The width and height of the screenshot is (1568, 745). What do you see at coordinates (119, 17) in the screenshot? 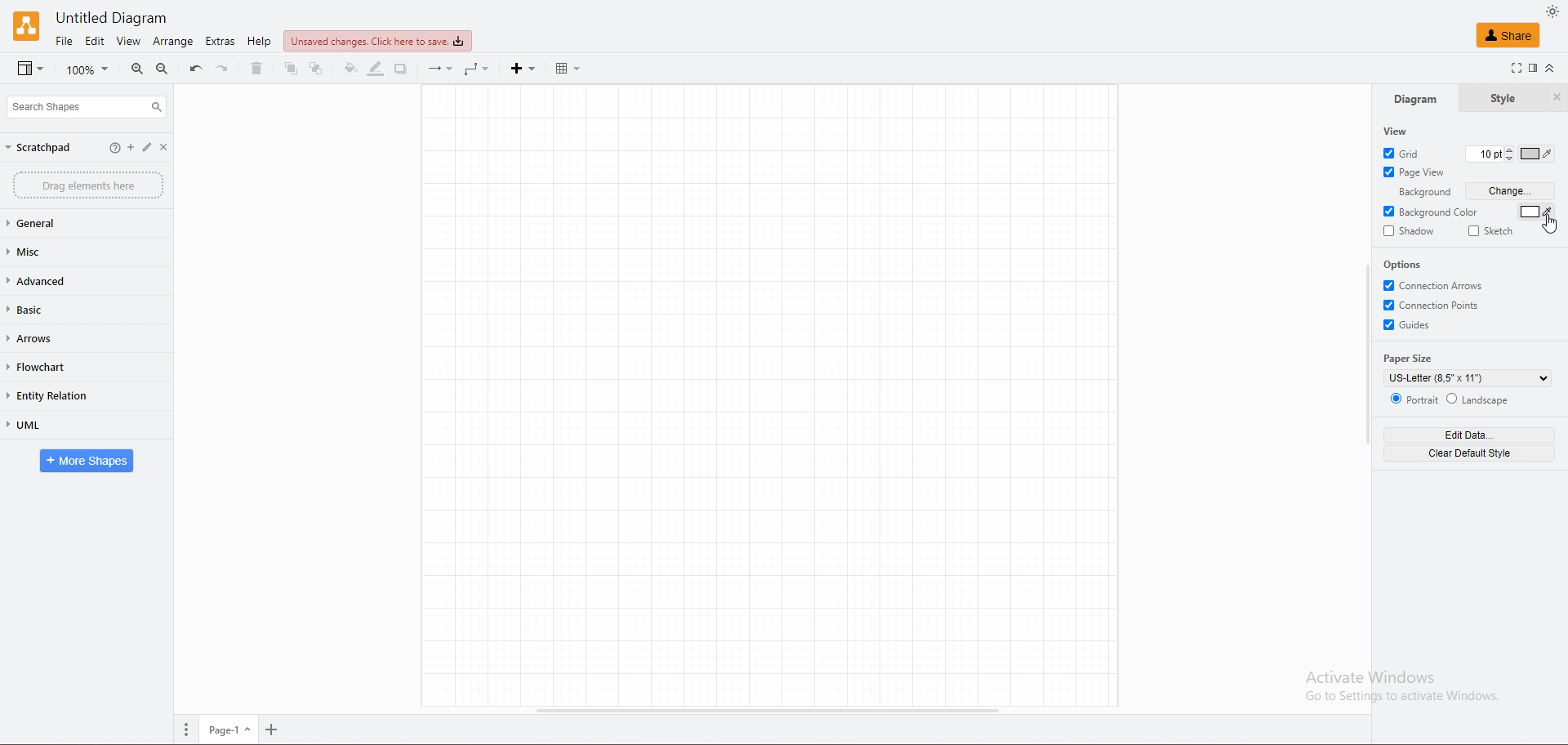
I see `Untitled Diagram` at bounding box center [119, 17].